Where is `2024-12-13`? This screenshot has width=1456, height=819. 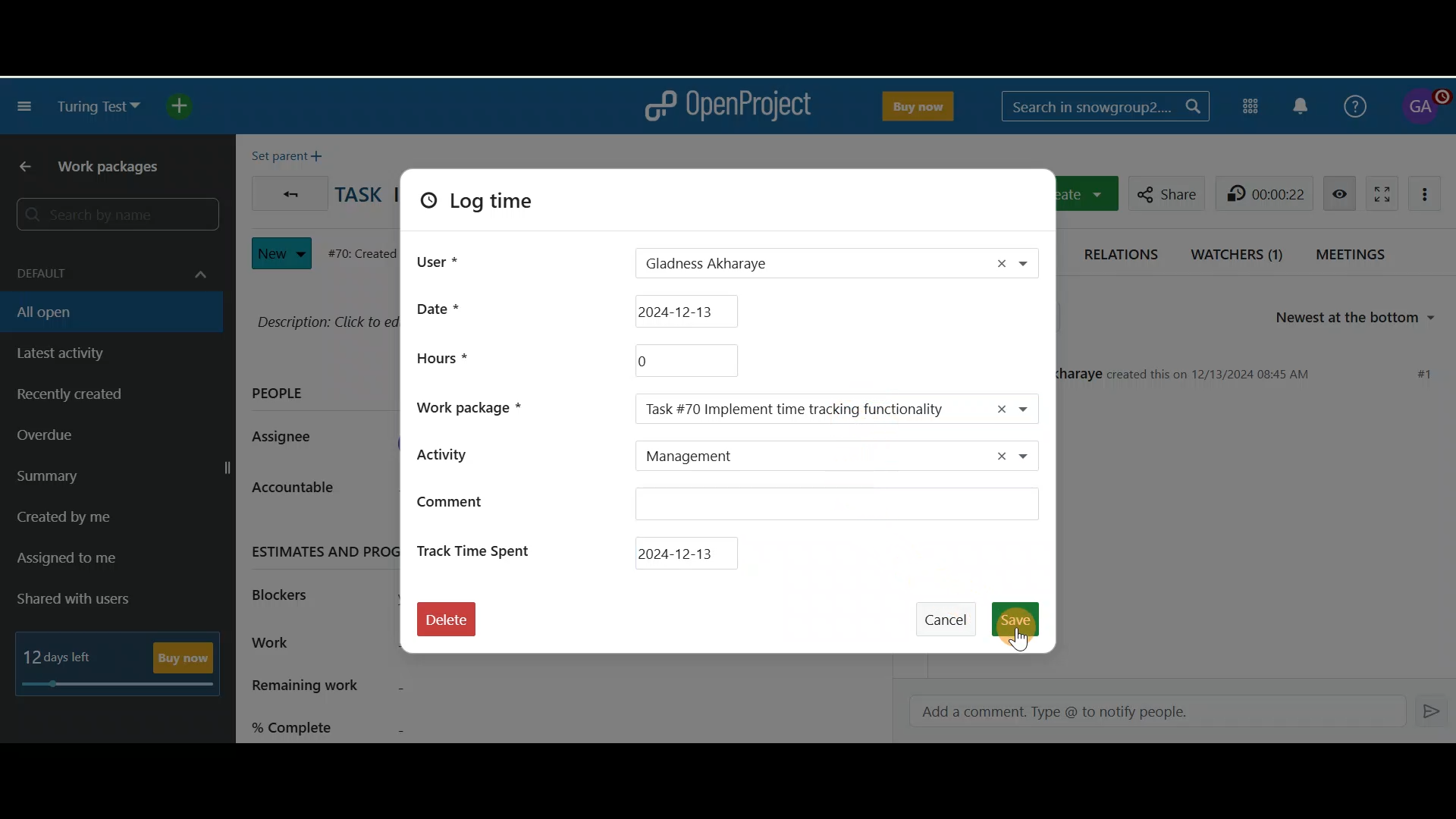
2024-12-13 is located at coordinates (689, 551).